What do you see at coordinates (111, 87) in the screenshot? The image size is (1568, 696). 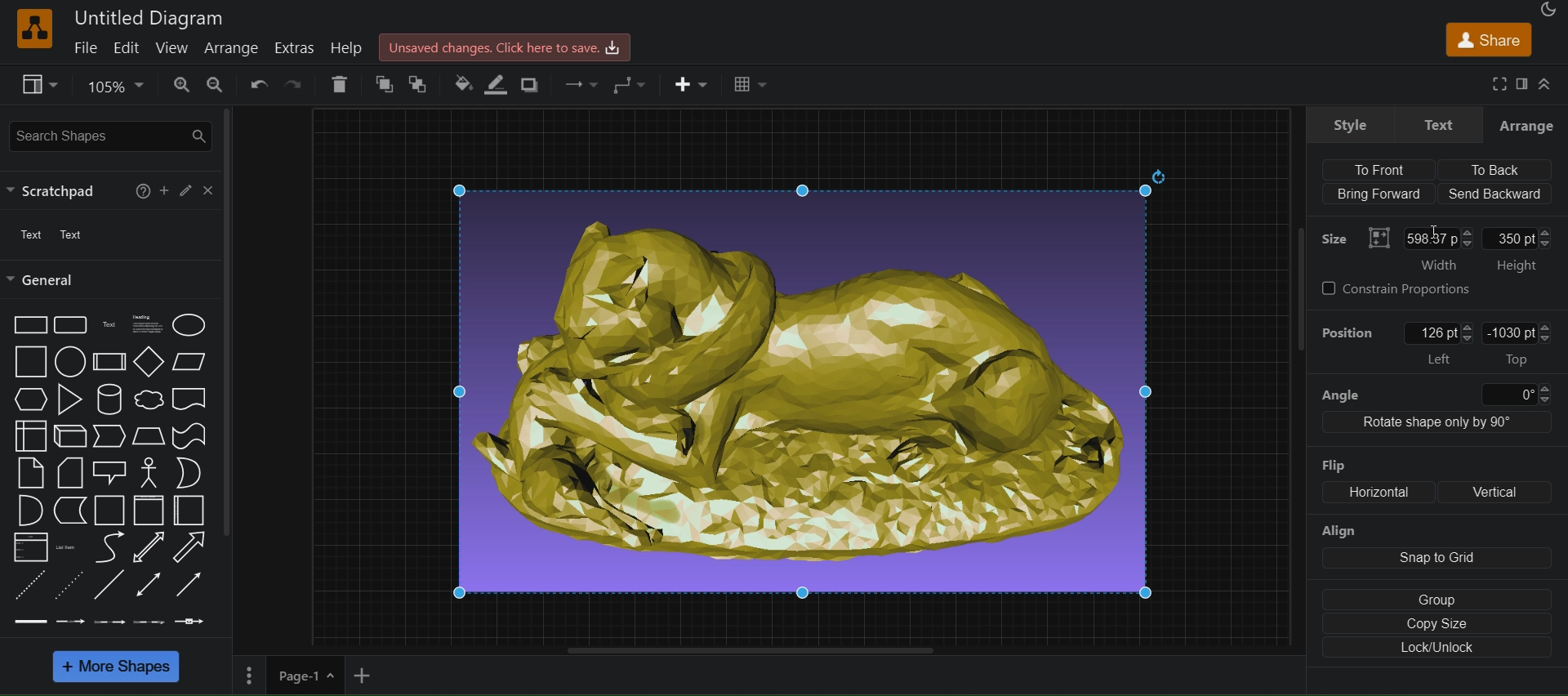 I see `zoom` at bounding box center [111, 87].